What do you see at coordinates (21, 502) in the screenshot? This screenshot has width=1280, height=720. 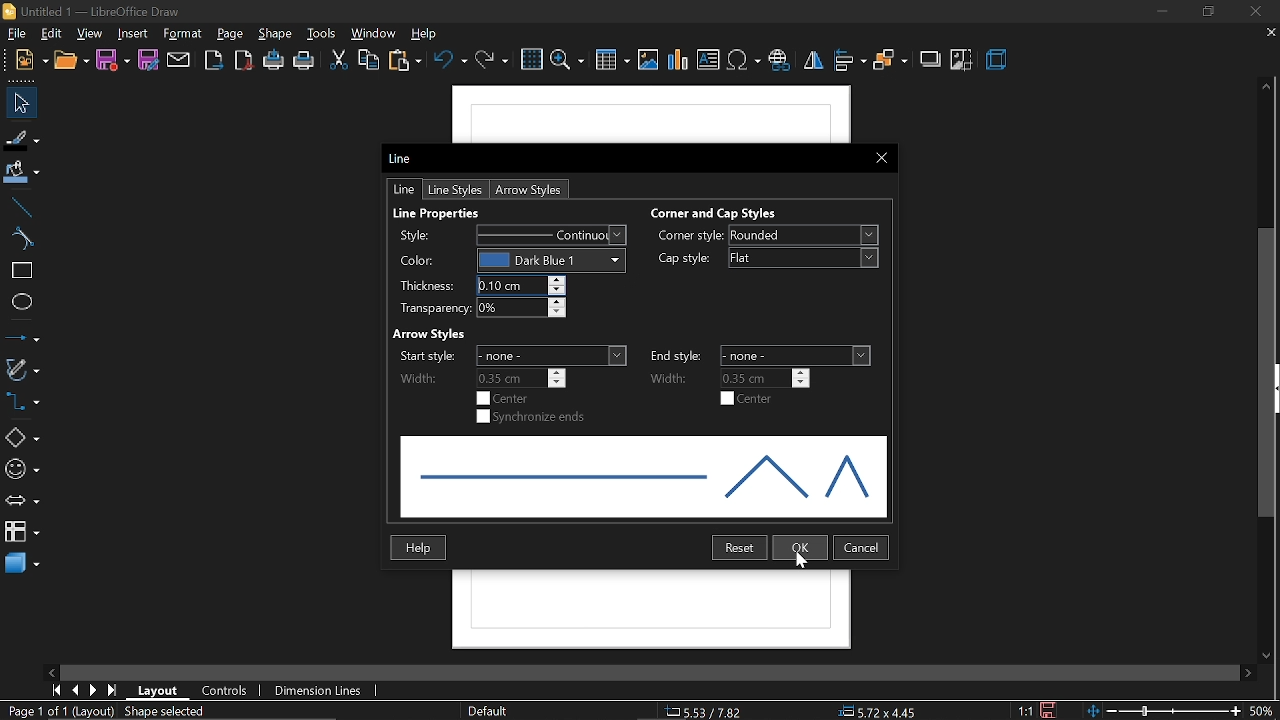 I see `arrows` at bounding box center [21, 502].